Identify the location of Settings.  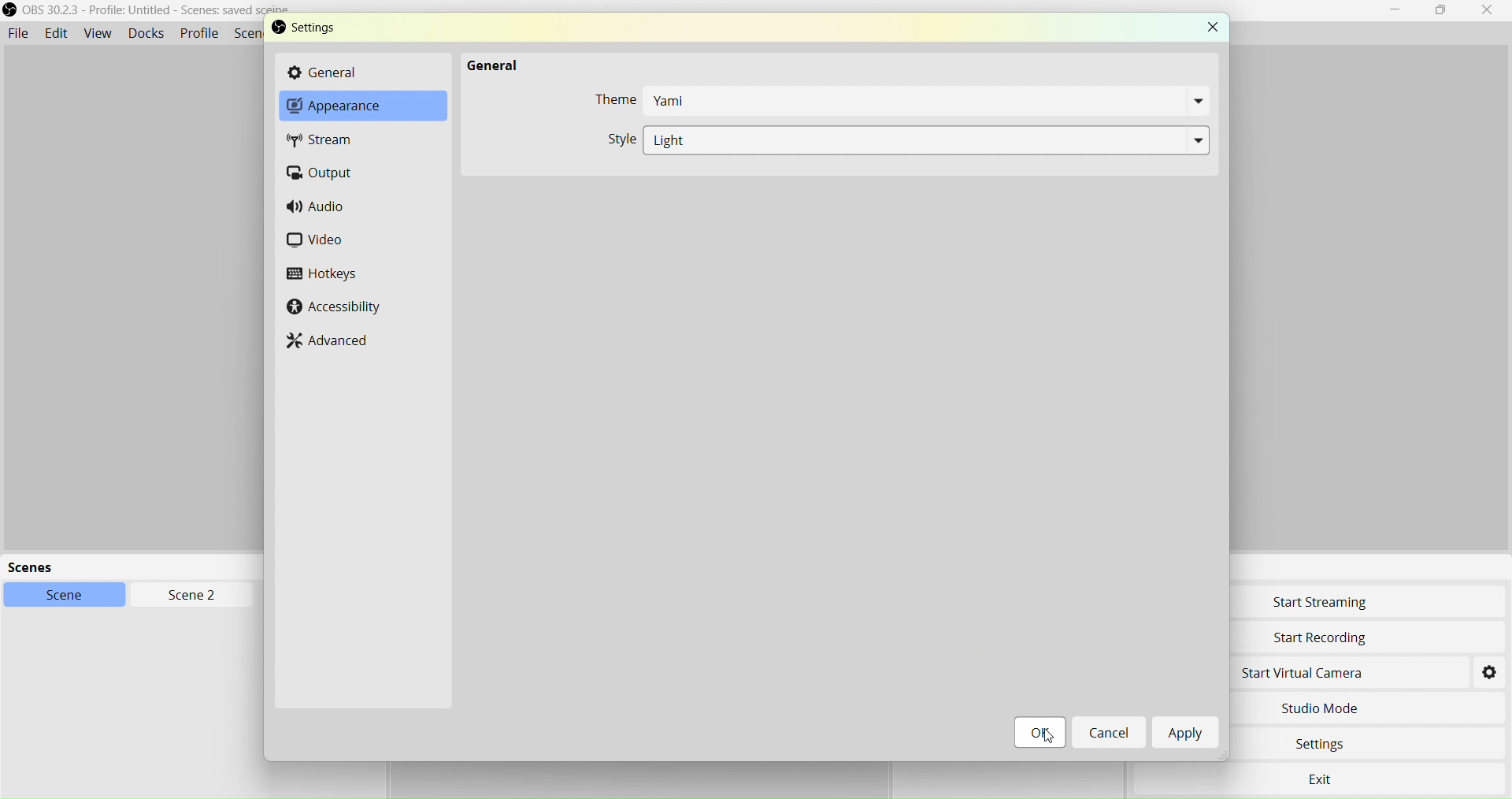
(1491, 673).